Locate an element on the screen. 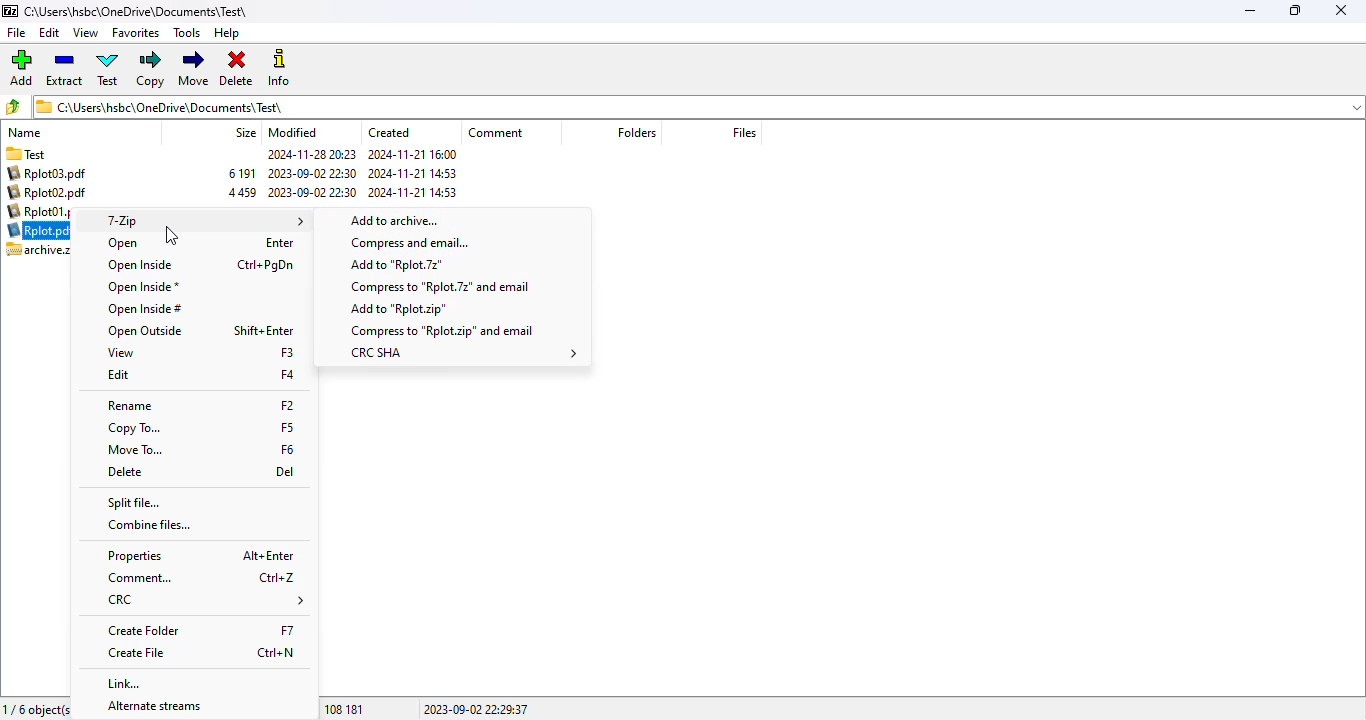 This screenshot has width=1366, height=720. shortcut for add to archive is located at coordinates (393, 221).